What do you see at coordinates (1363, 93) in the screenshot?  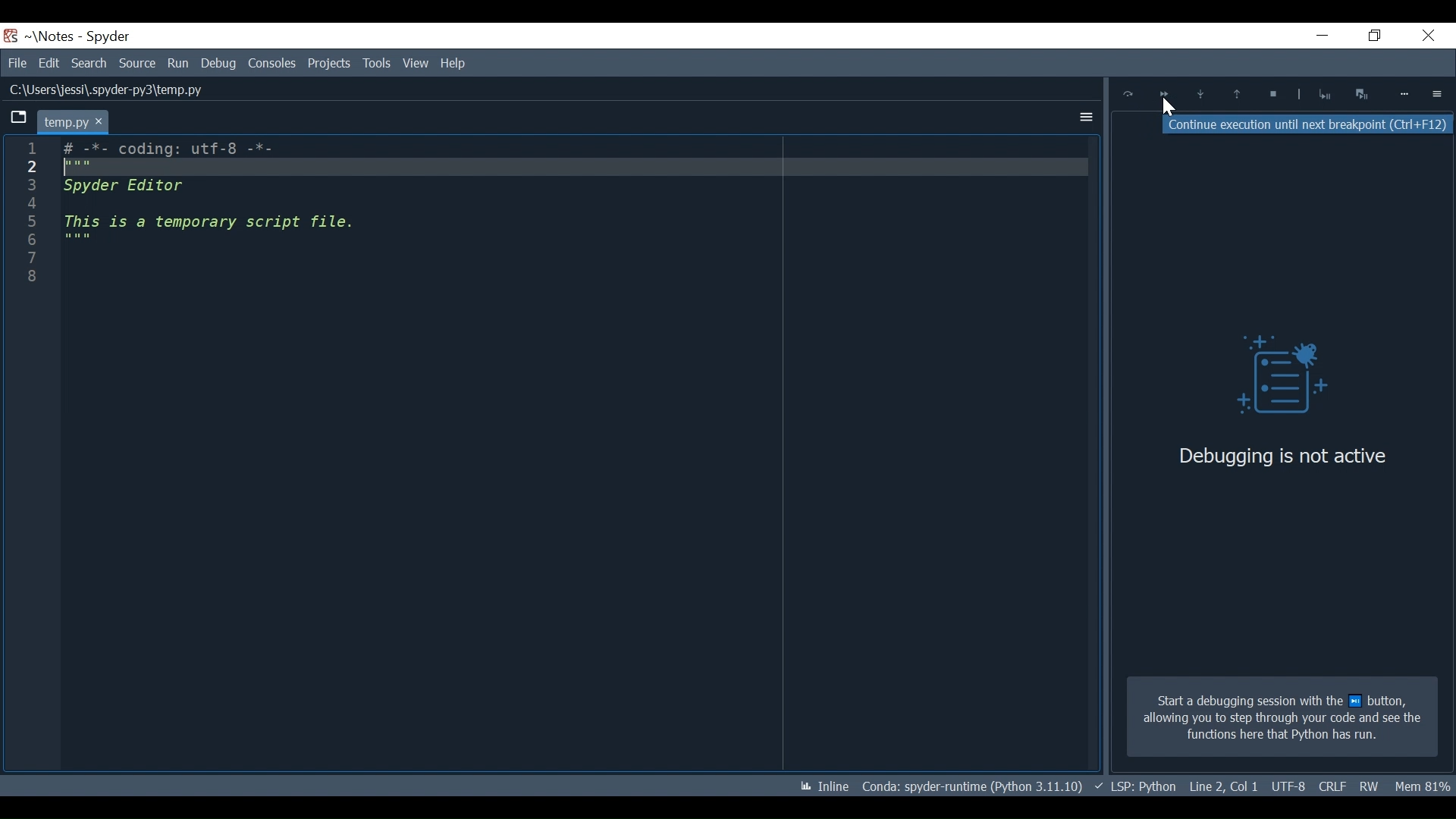 I see `Interrupt execution and start the debugger` at bounding box center [1363, 93].